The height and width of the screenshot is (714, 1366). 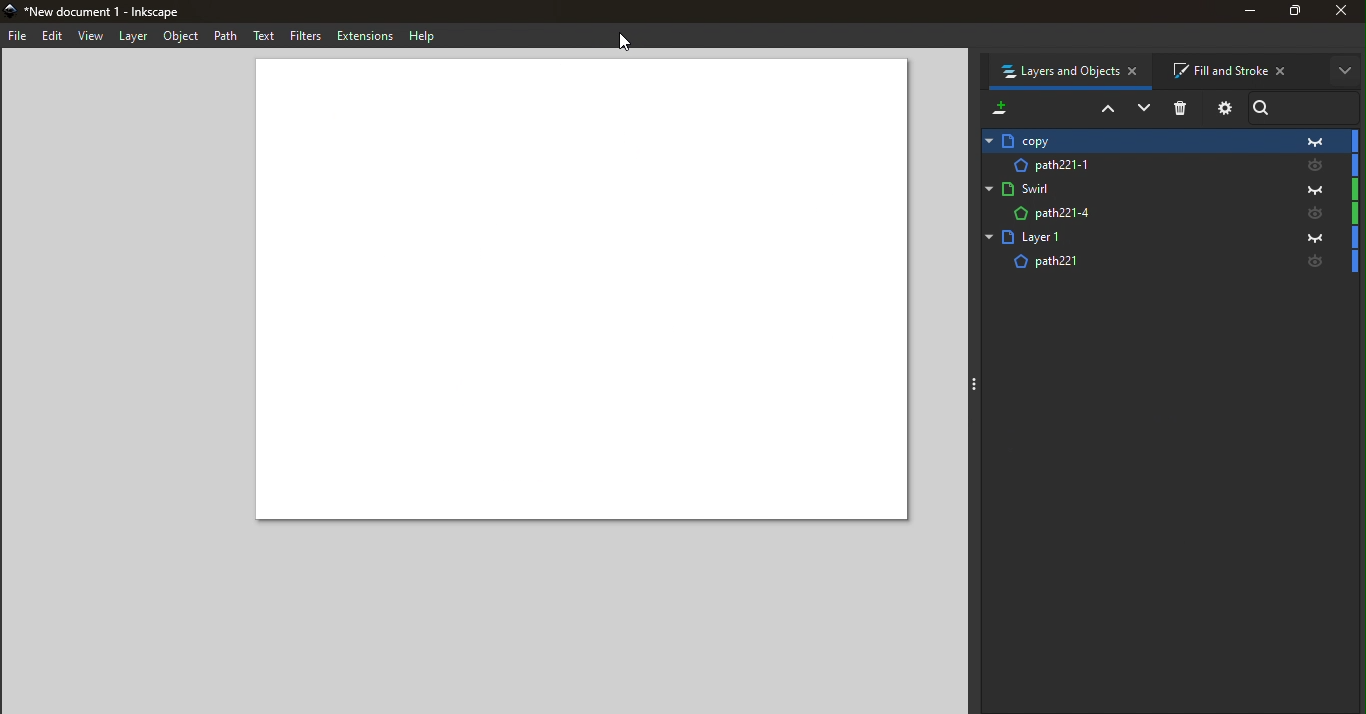 I want to click on Path, so click(x=227, y=36).